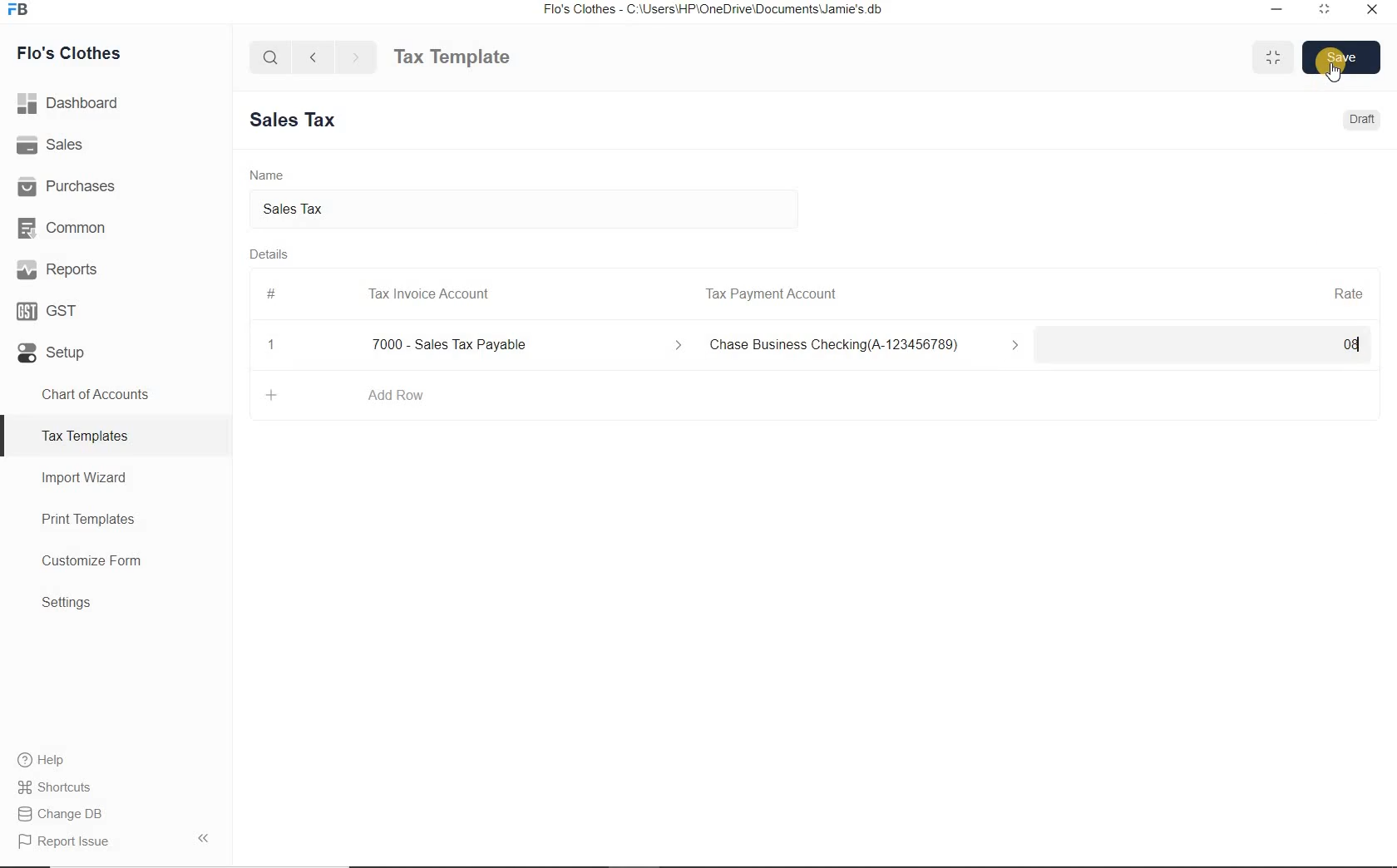 The height and width of the screenshot is (868, 1397). I want to click on Chase Business Checking(A-123456789), so click(868, 346).